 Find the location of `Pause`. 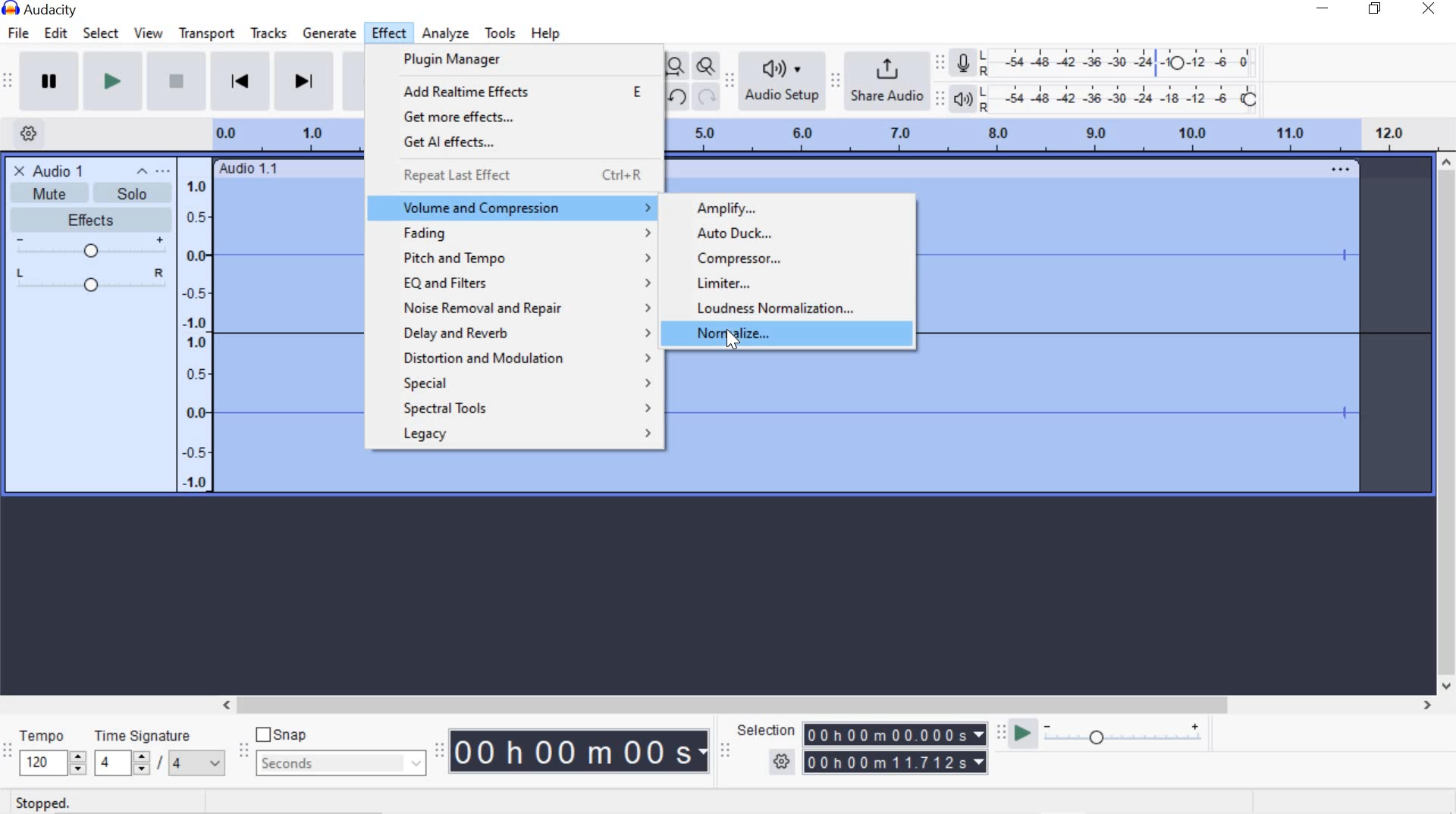

Pause is located at coordinates (50, 81).